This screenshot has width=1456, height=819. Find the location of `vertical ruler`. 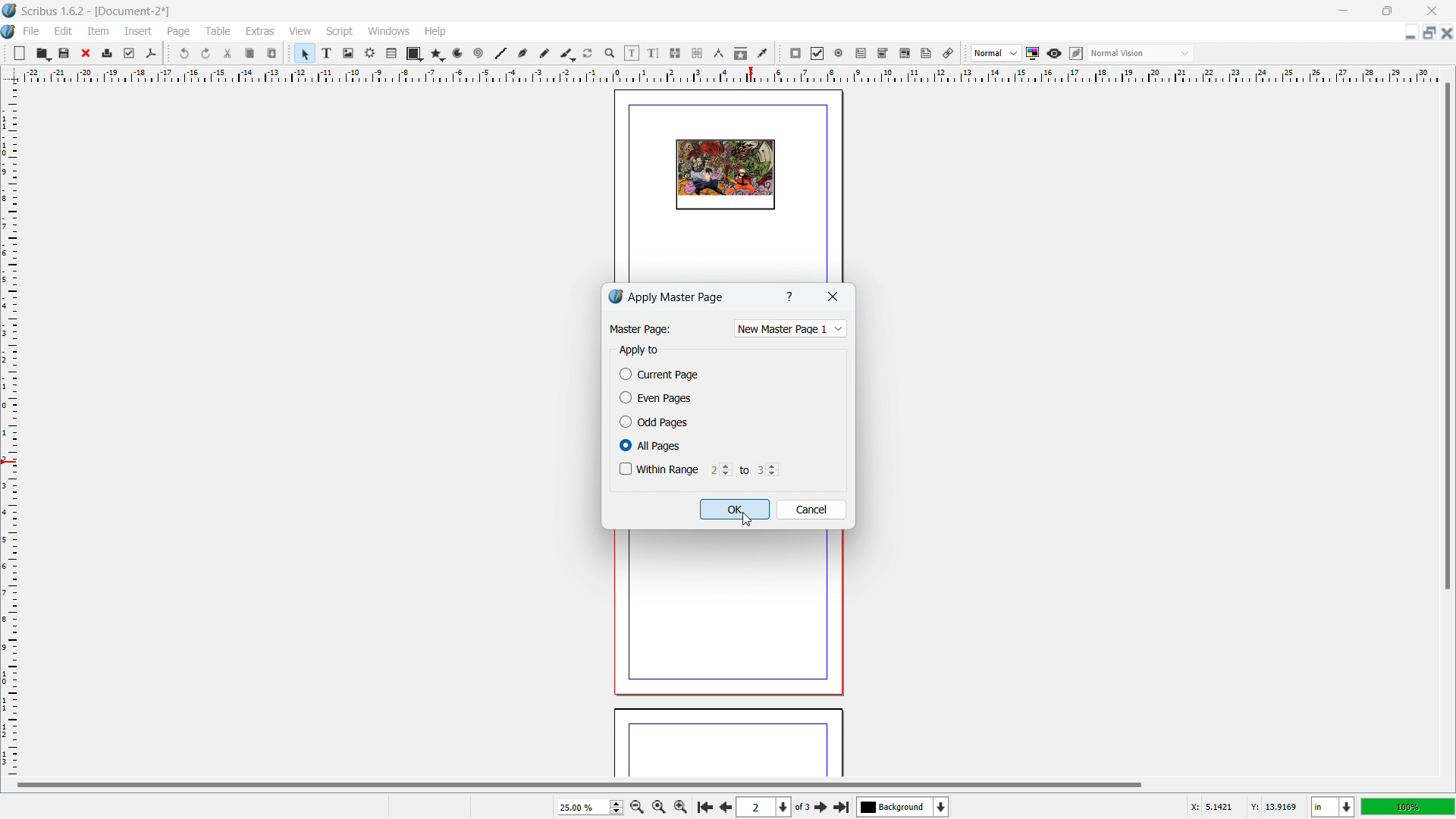

vertical ruler is located at coordinates (9, 430).